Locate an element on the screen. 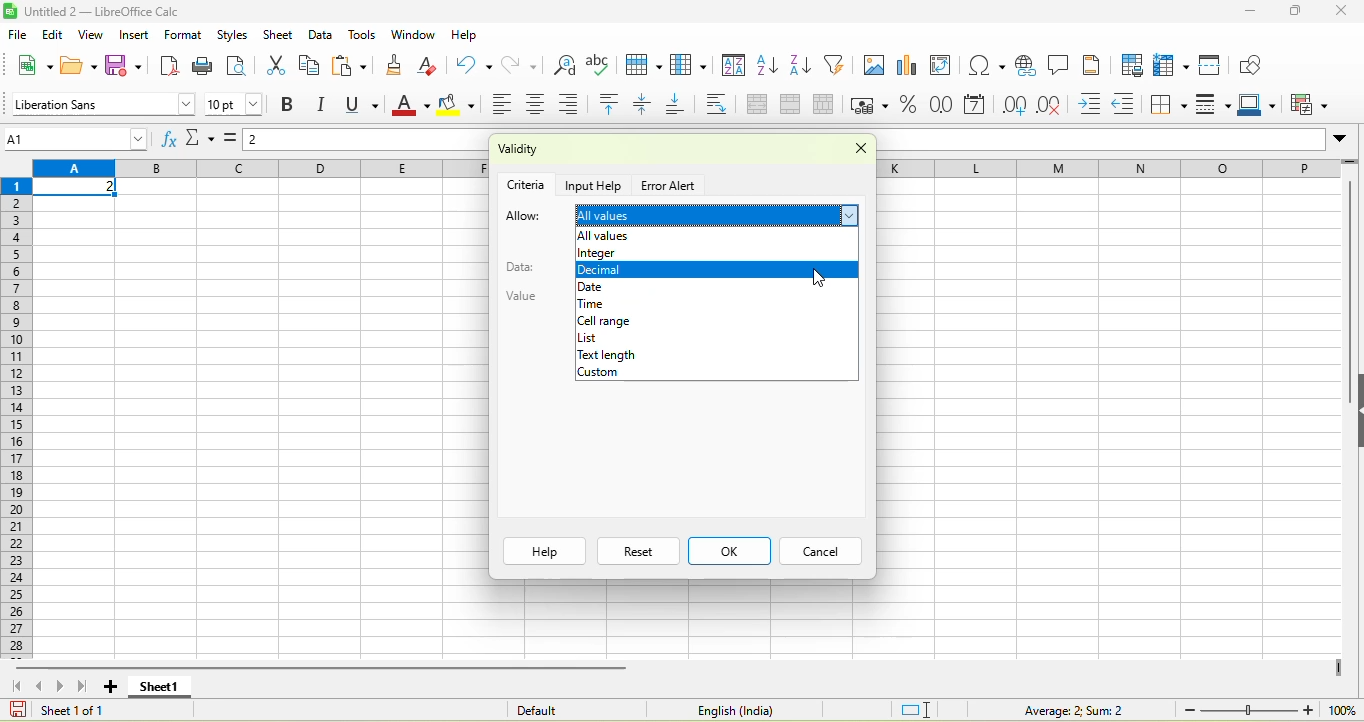 The image size is (1364, 722). save is located at coordinates (127, 66).